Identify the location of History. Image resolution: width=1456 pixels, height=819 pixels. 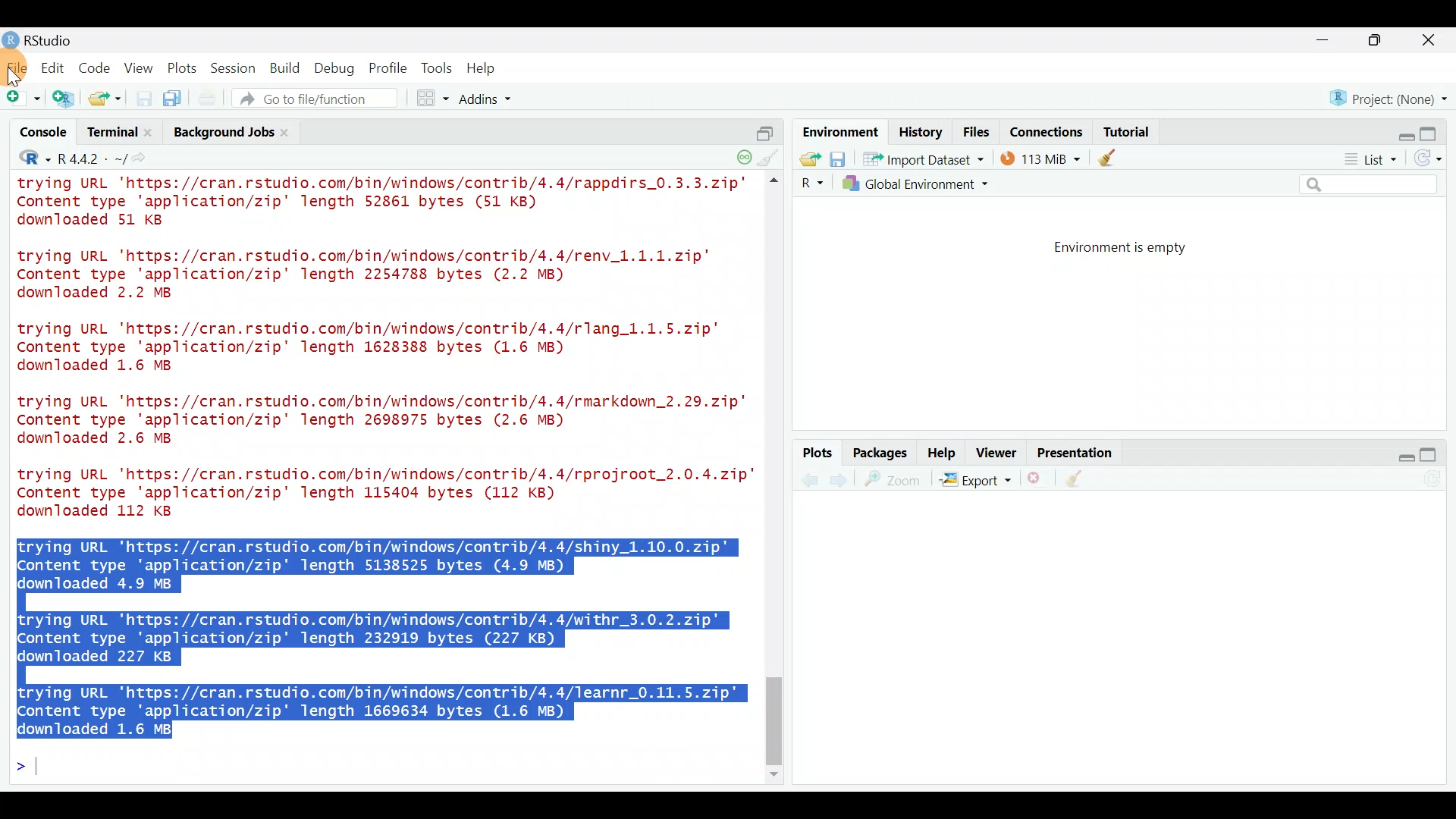
(921, 131).